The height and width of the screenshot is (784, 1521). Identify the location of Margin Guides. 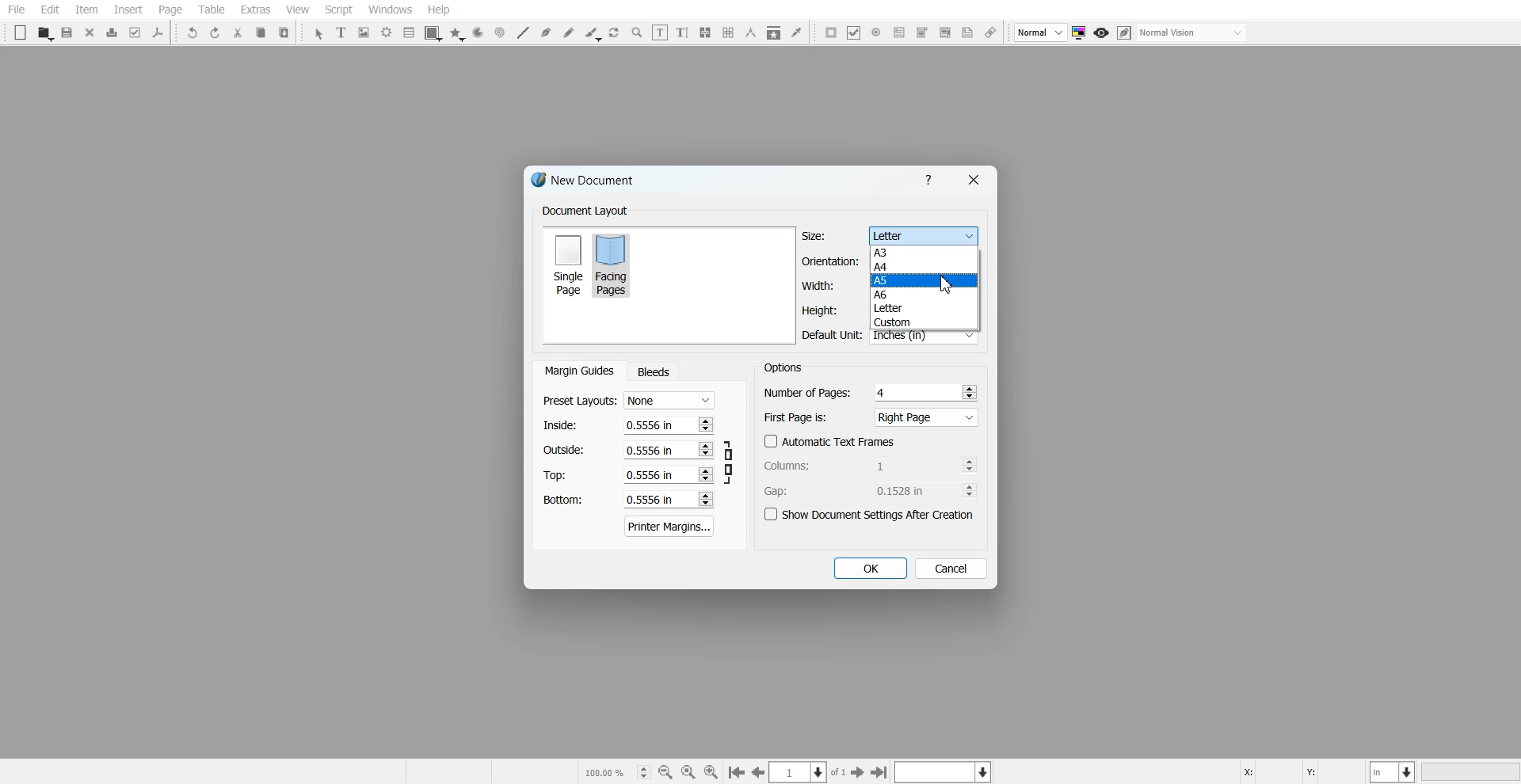
(578, 371).